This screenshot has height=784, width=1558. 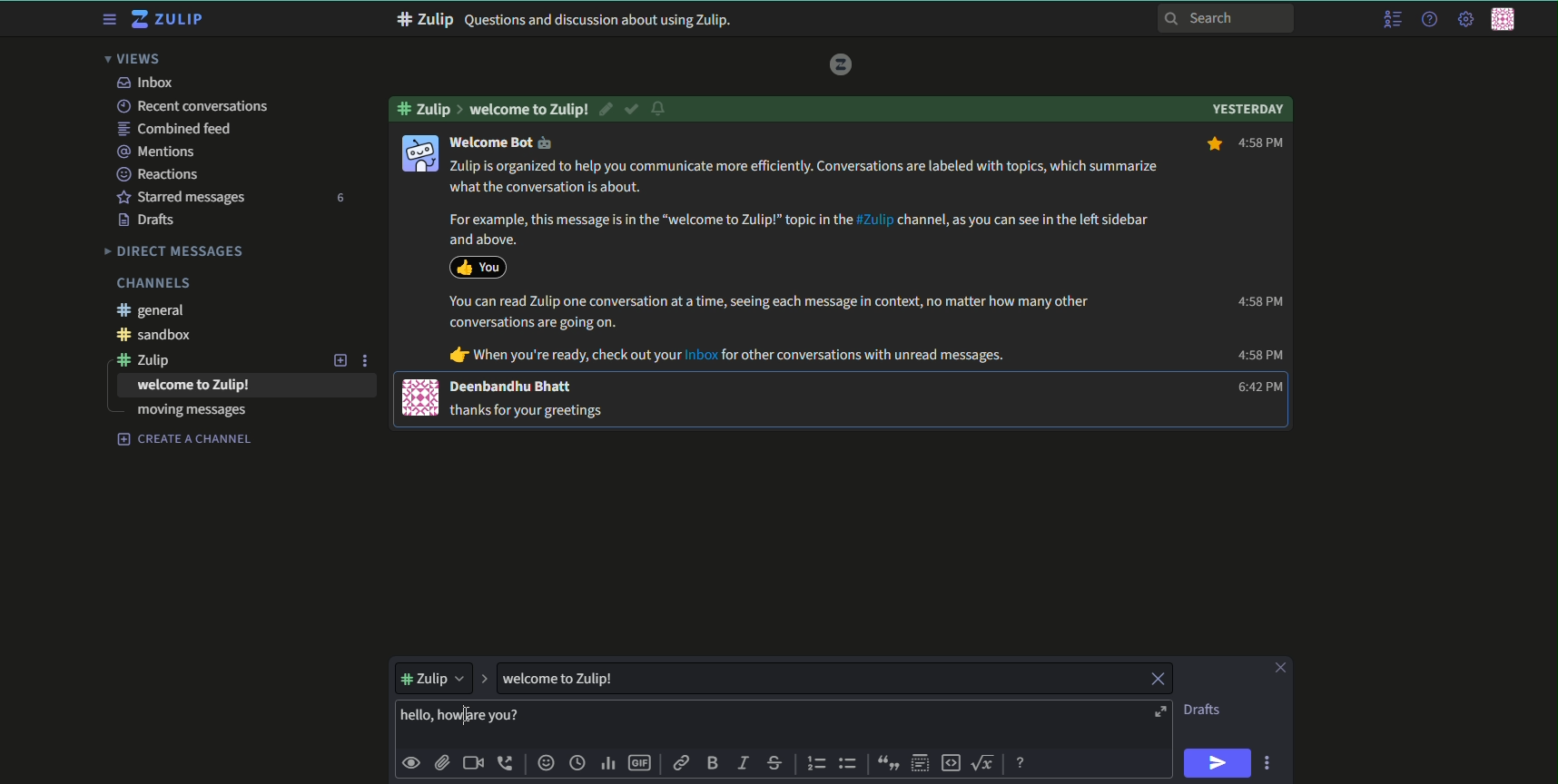 I want to click on icon, so click(x=419, y=152).